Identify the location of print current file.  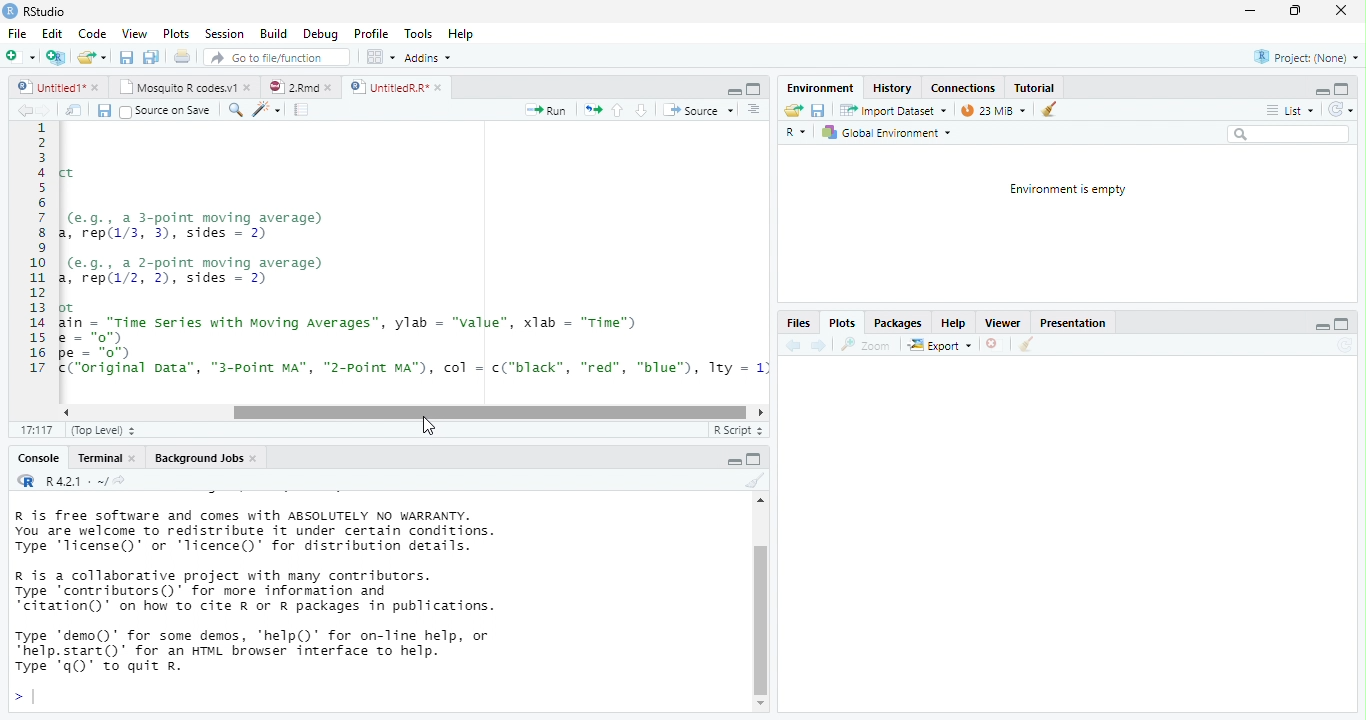
(151, 57).